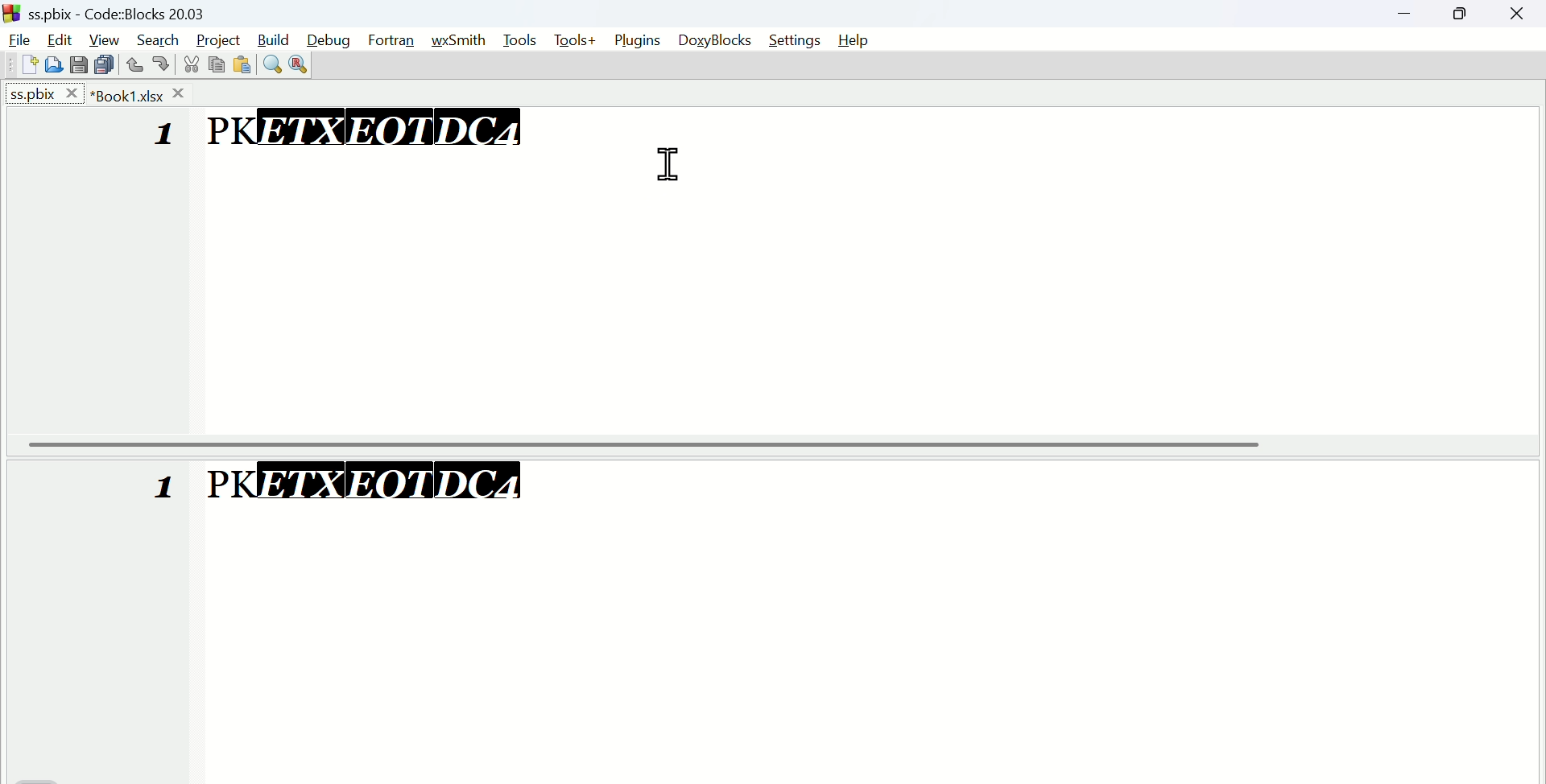  I want to click on file, so click(19, 38).